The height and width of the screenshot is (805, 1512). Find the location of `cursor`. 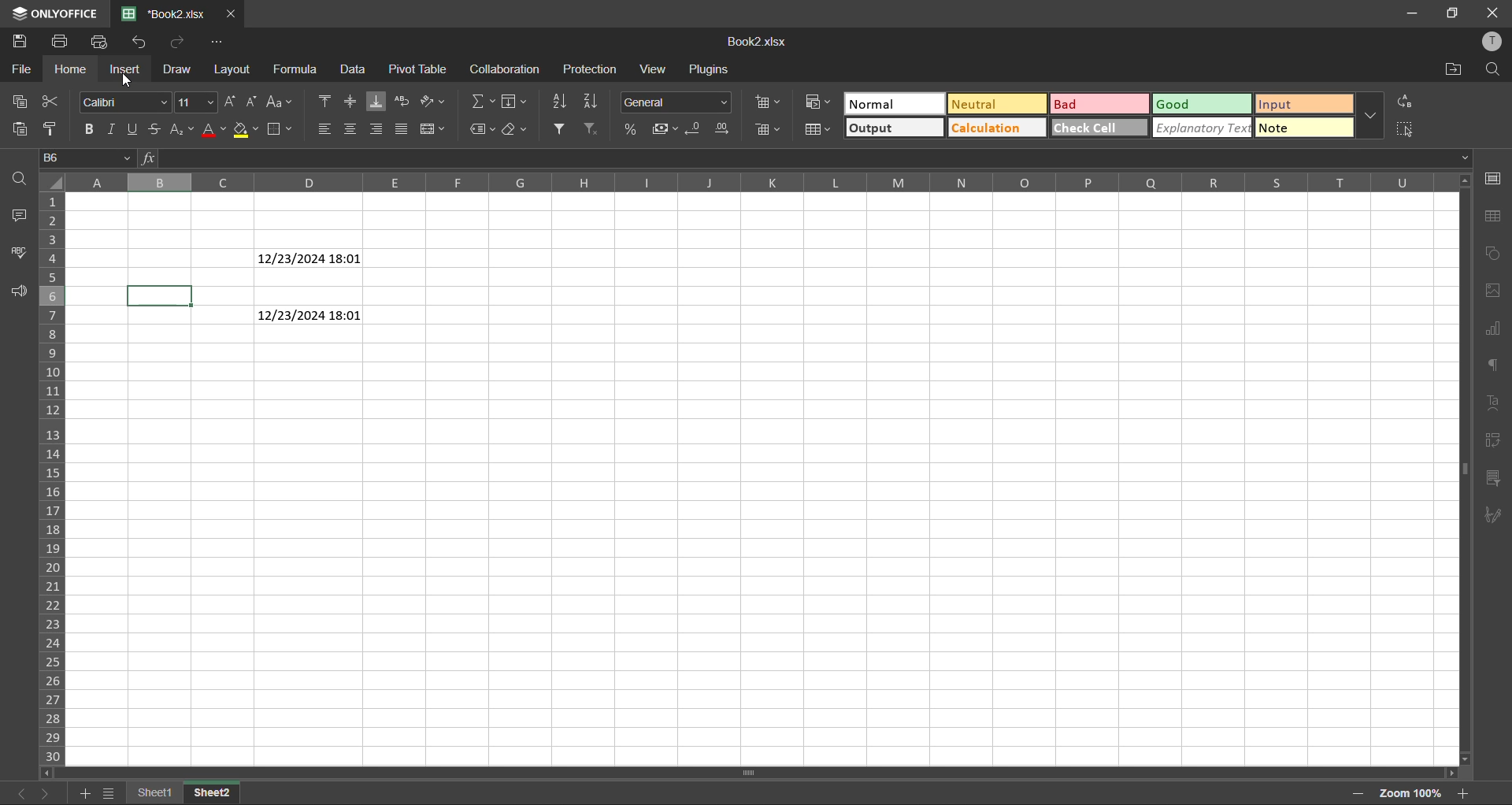

cursor is located at coordinates (129, 80).